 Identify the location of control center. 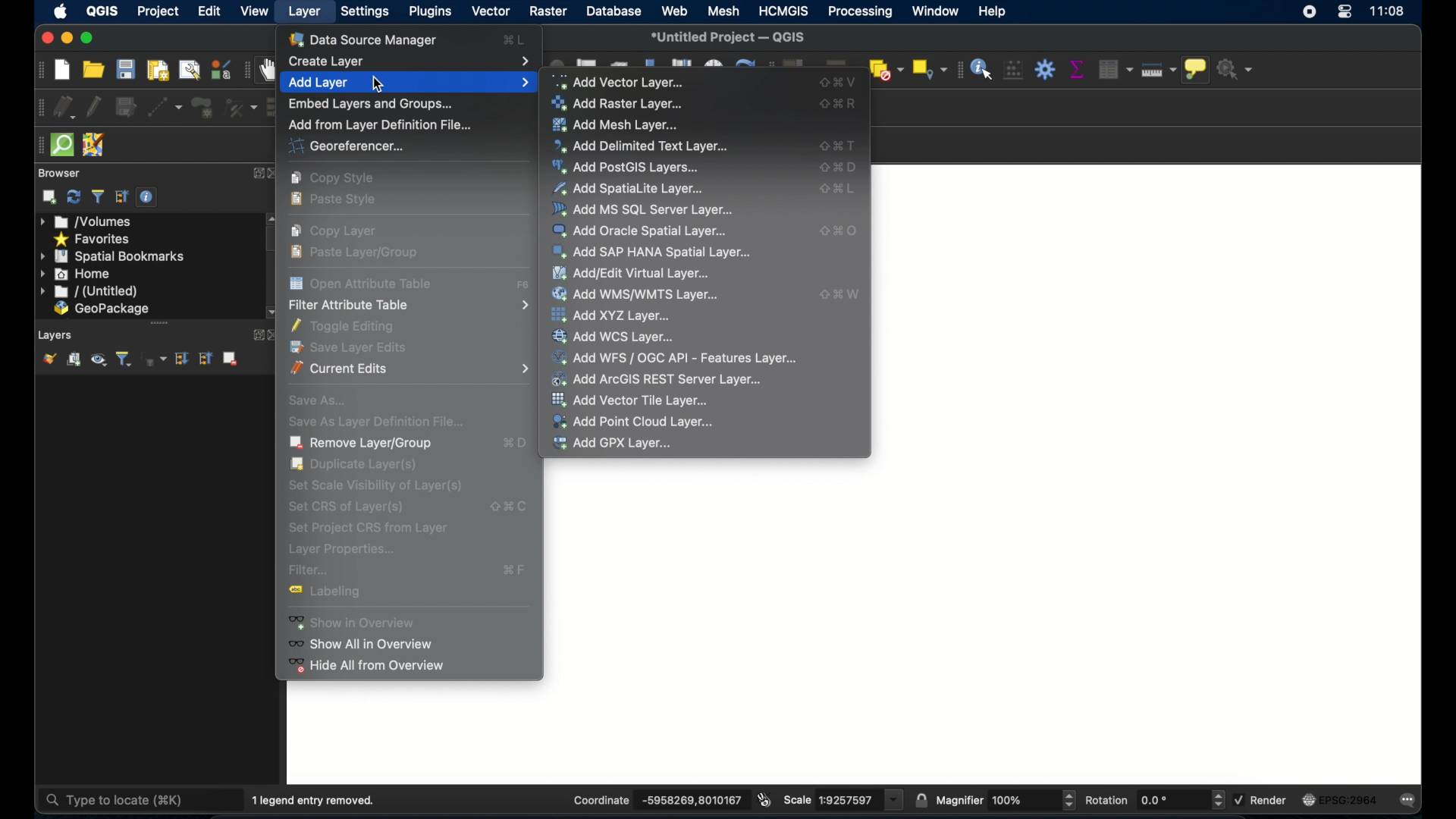
(1345, 15).